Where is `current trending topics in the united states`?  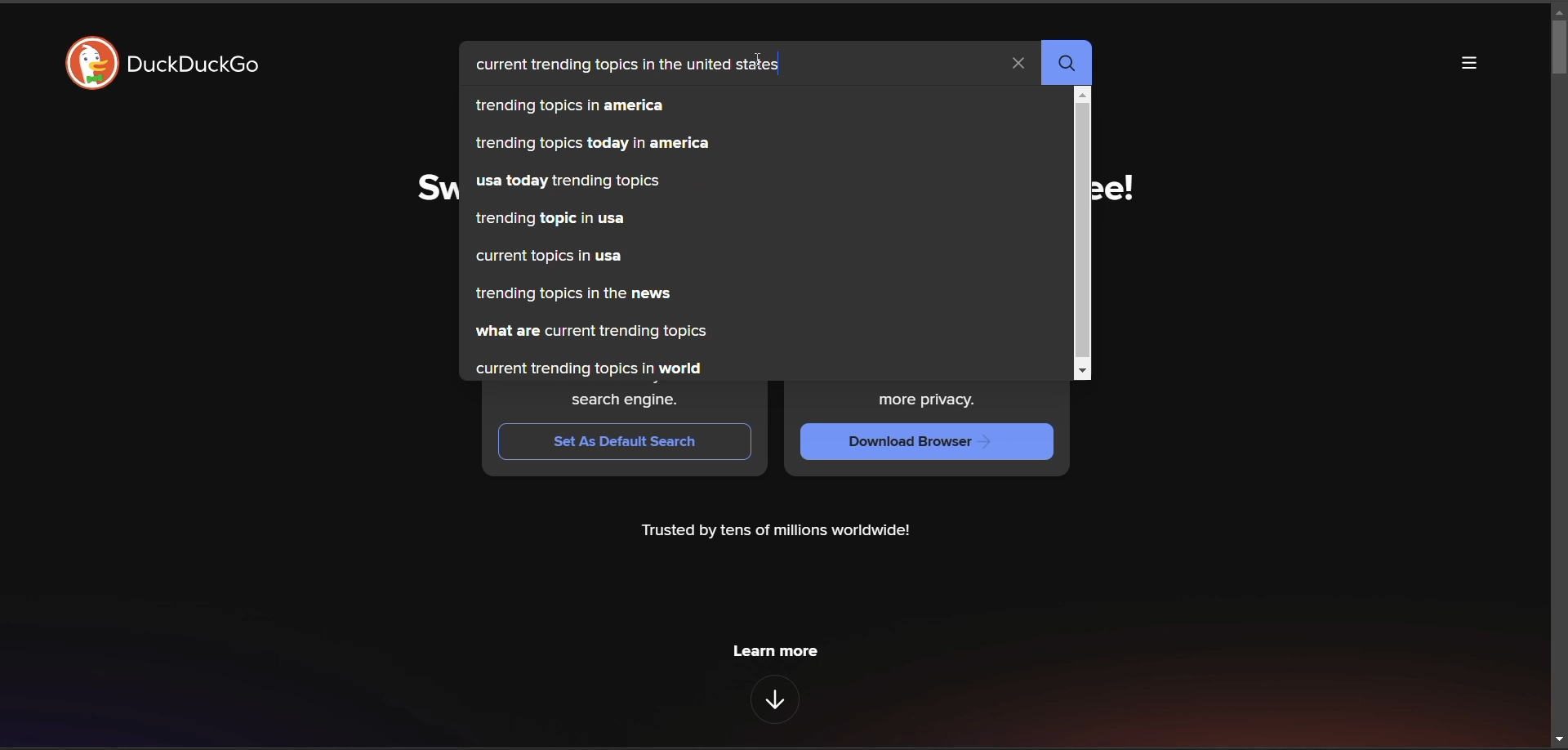
current trending topics in the united states is located at coordinates (632, 63).